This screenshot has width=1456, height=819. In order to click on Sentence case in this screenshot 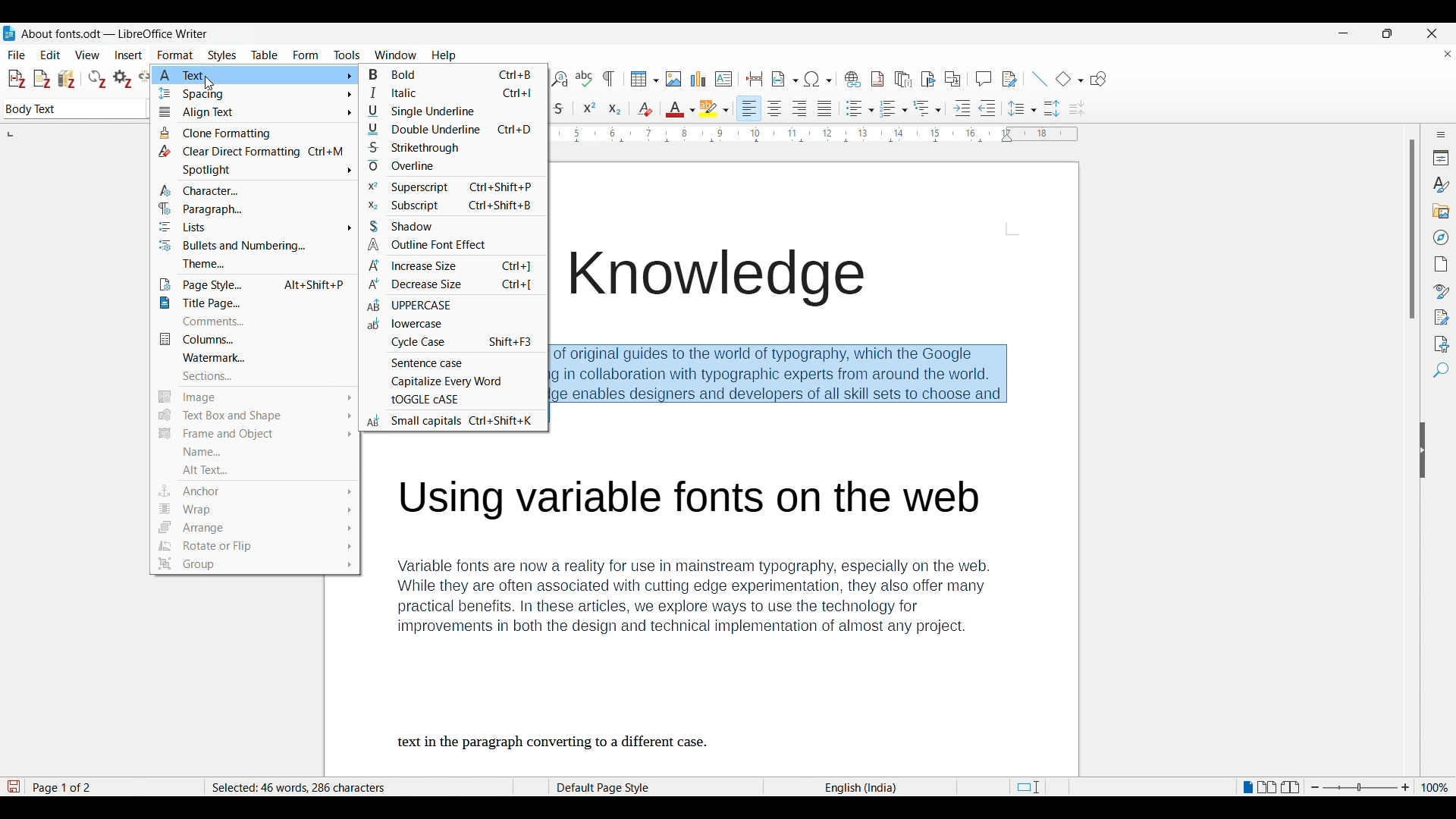, I will do `click(420, 364)`.